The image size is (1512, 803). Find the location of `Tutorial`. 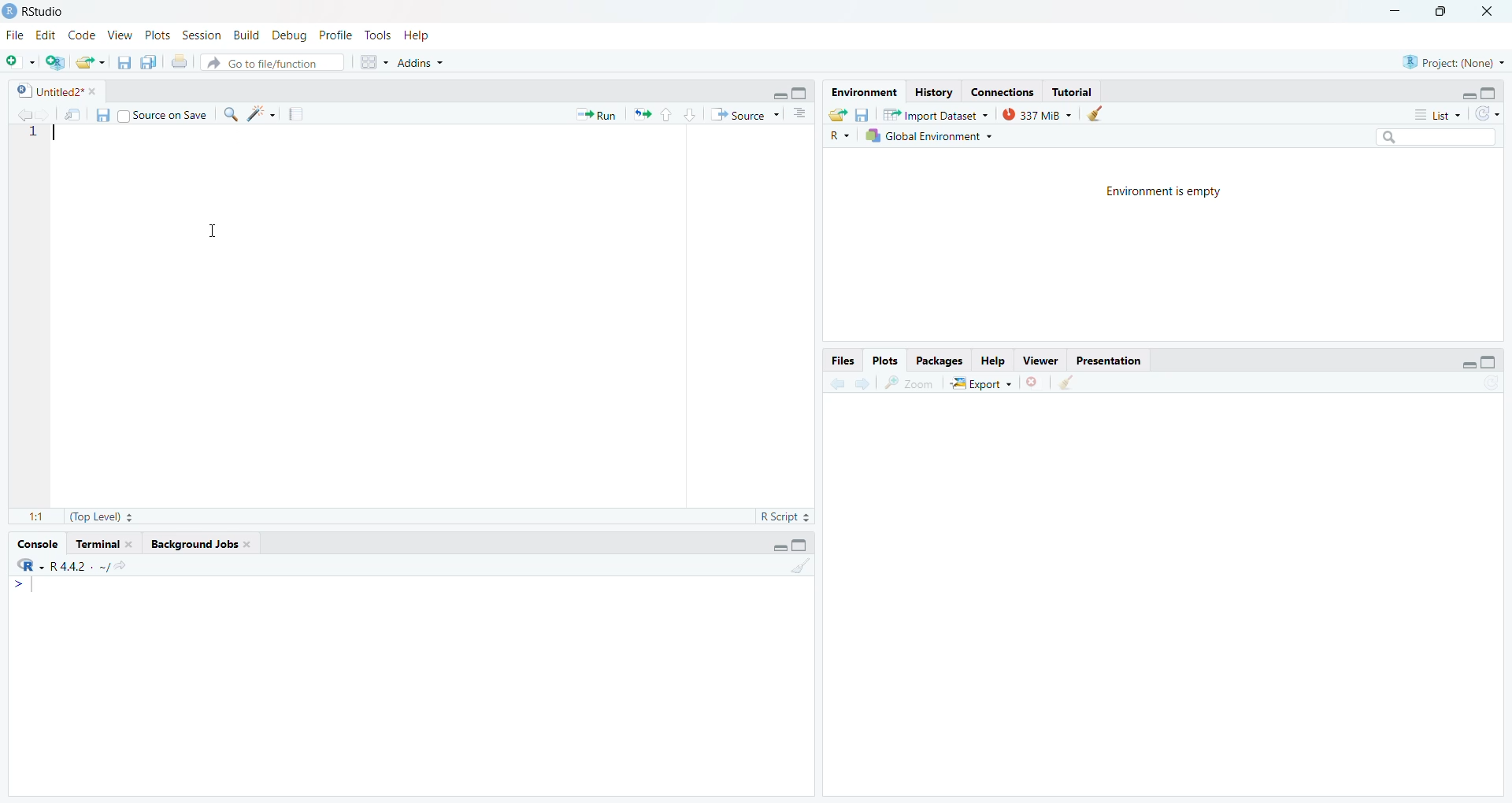

Tutorial is located at coordinates (1077, 92).